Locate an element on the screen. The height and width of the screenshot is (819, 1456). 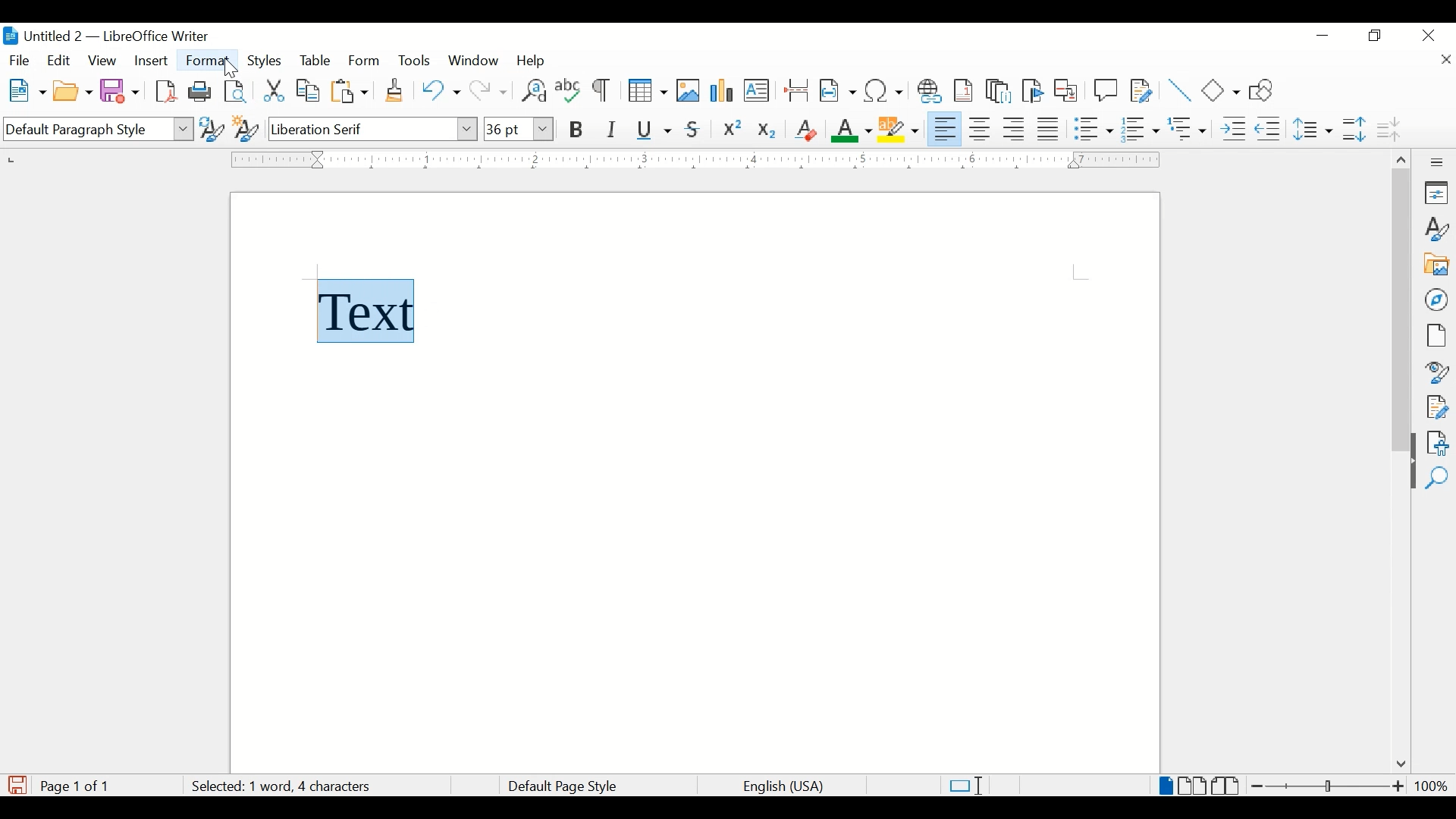
zoom slider is located at coordinates (1329, 786).